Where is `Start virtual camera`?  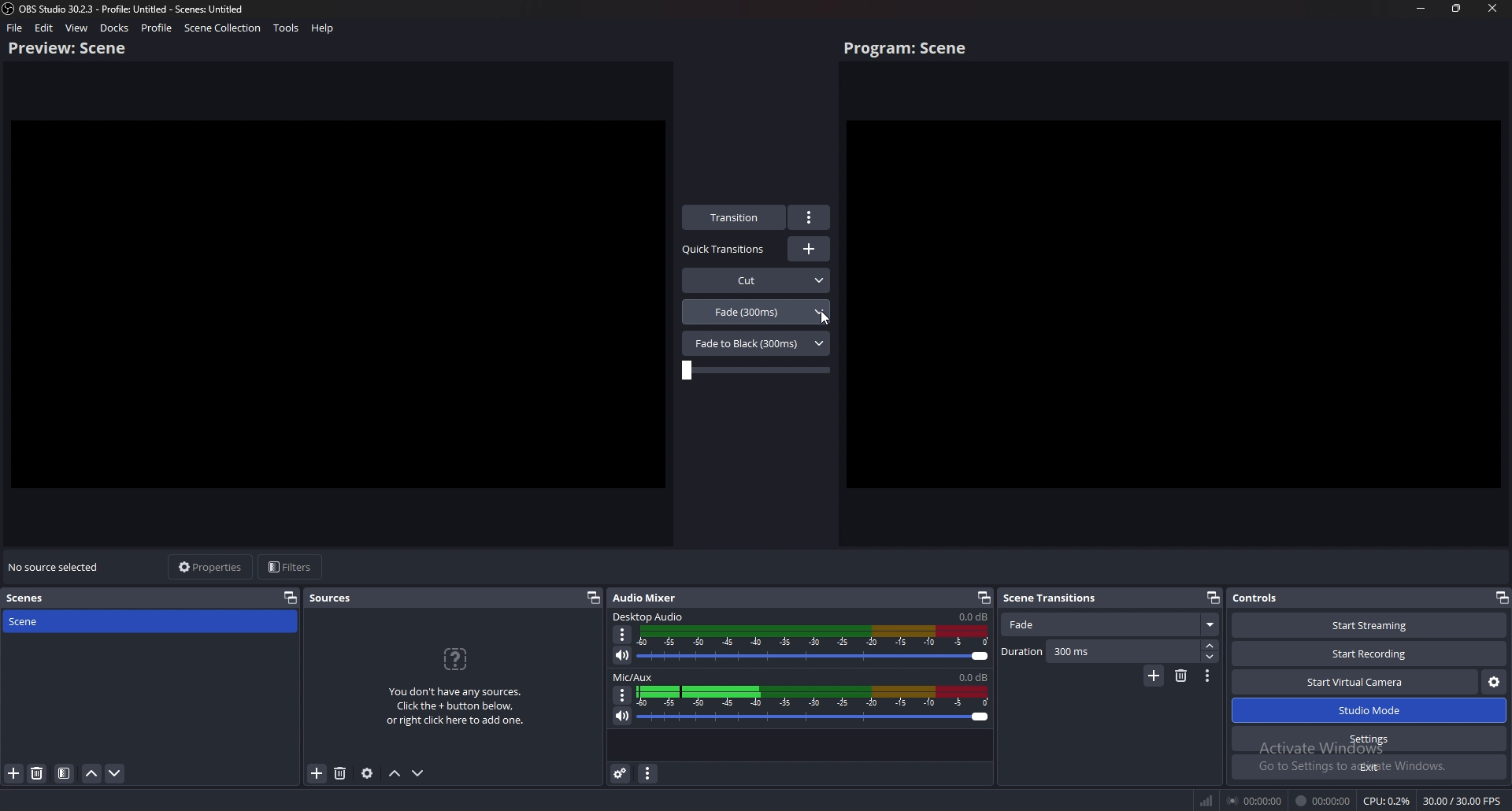 Start virtual camera is located at coordinates (1355, 682).